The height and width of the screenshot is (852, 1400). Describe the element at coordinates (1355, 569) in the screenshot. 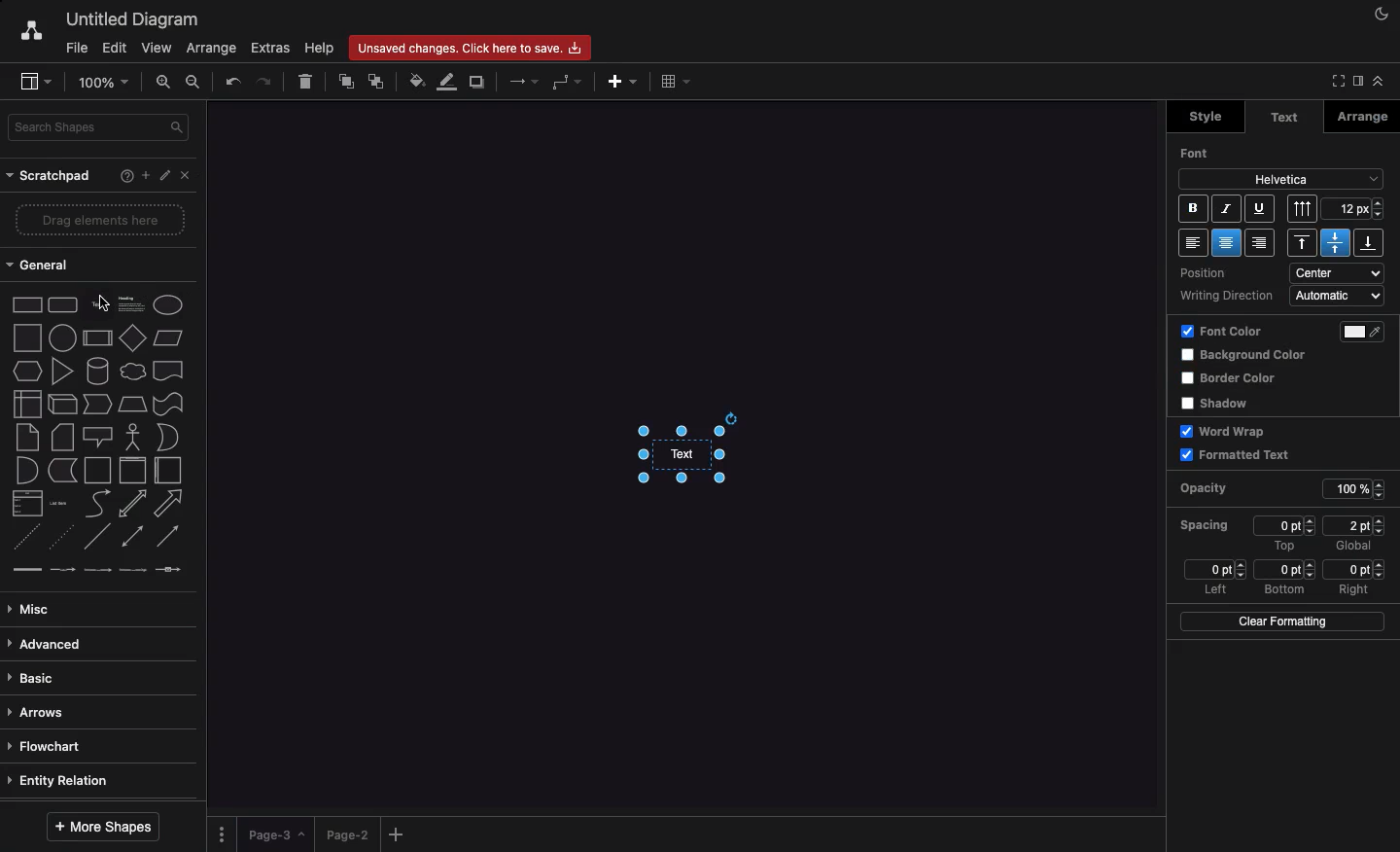

I see `0 pt` at that location.